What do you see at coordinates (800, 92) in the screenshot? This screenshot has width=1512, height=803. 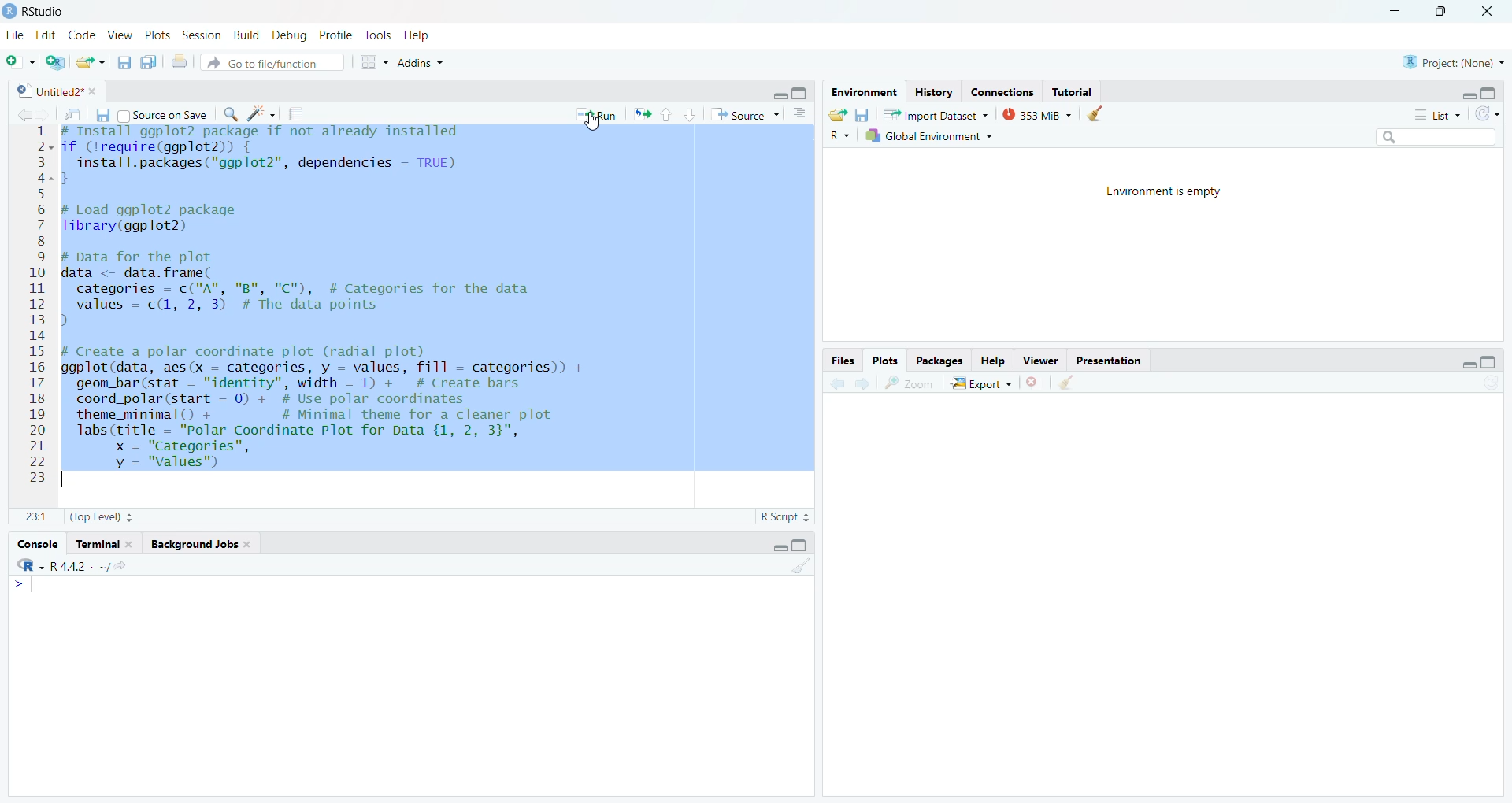 I see `hide console` at bounding box center [800, 92].